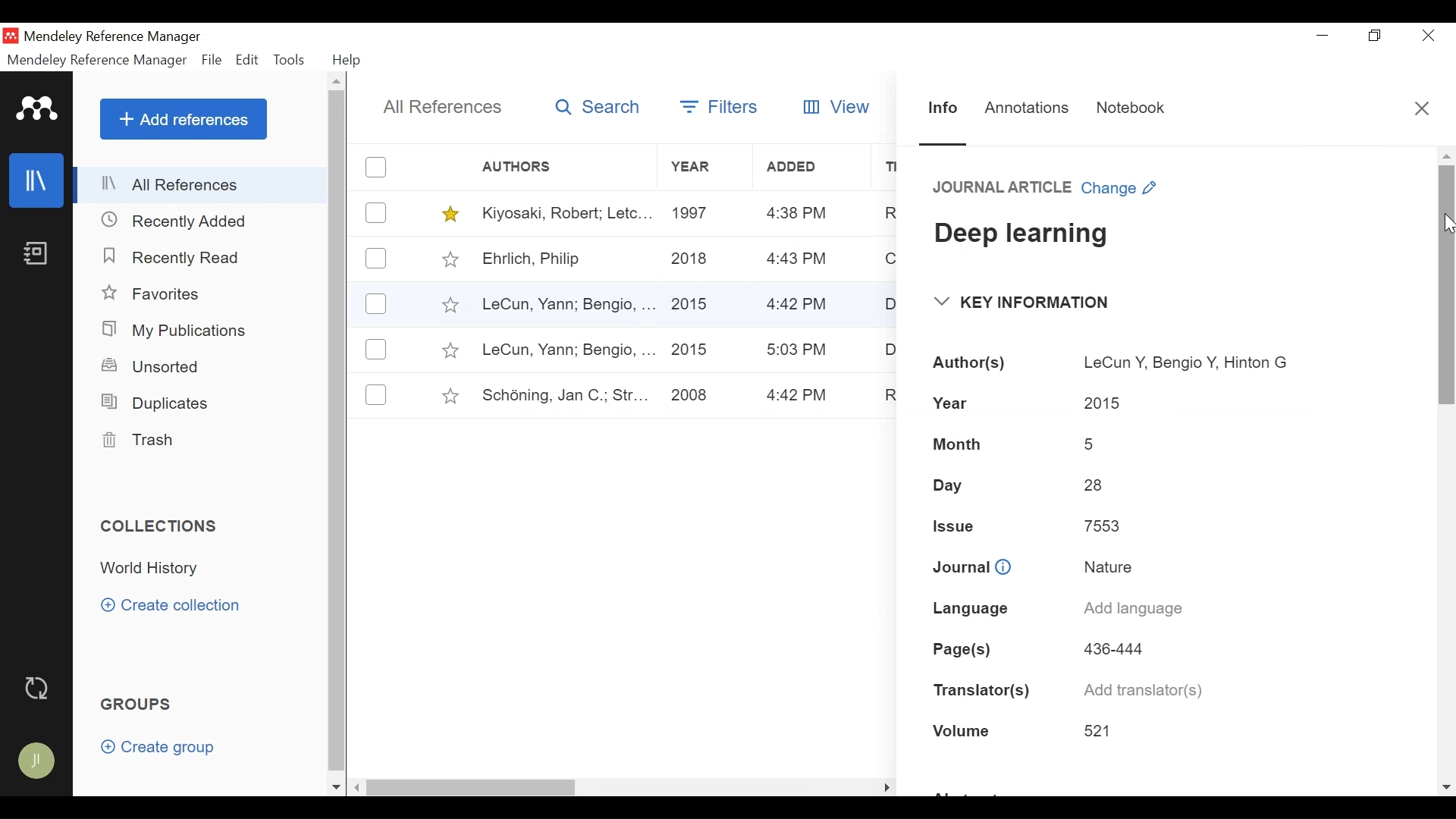  Describe the element at coordinates (599, 108) in the screenshot. I see `Search` at that location.